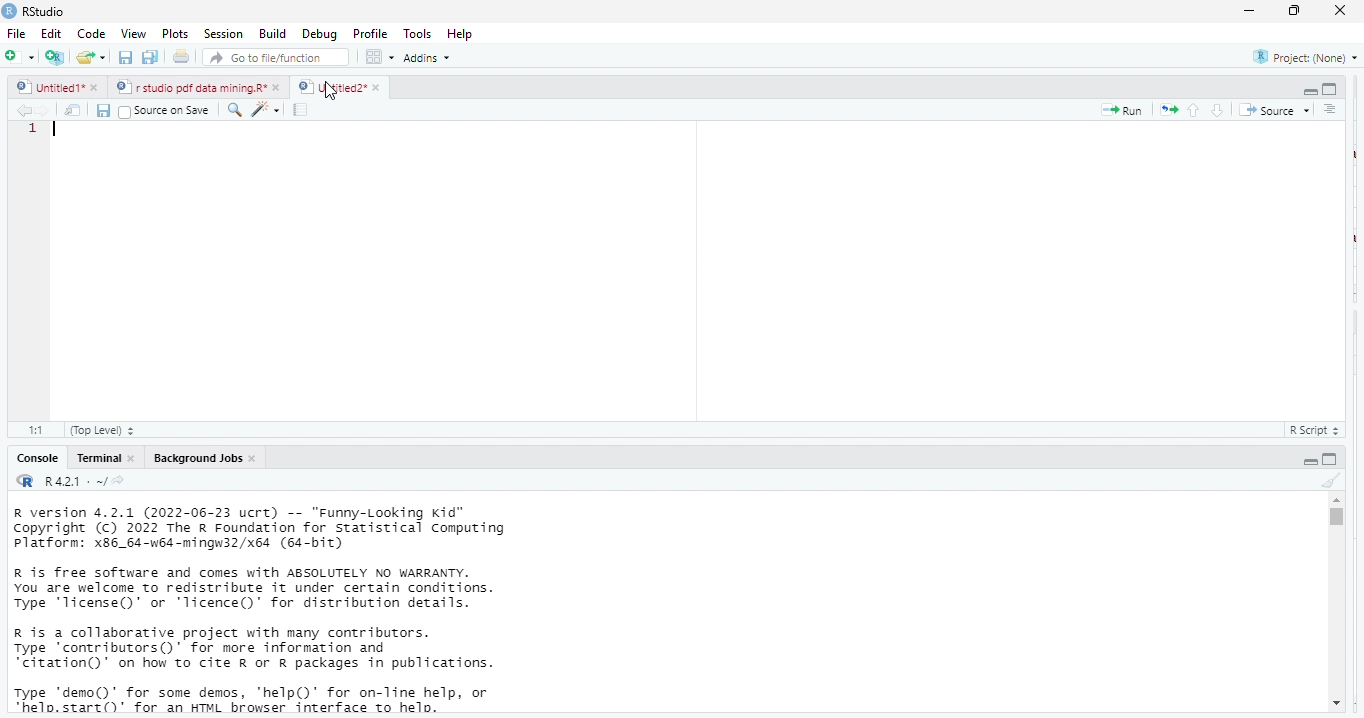  What do you see at coordinates (255, 458) in the screenshot?
I see `close` at bounding box center [255, 458].